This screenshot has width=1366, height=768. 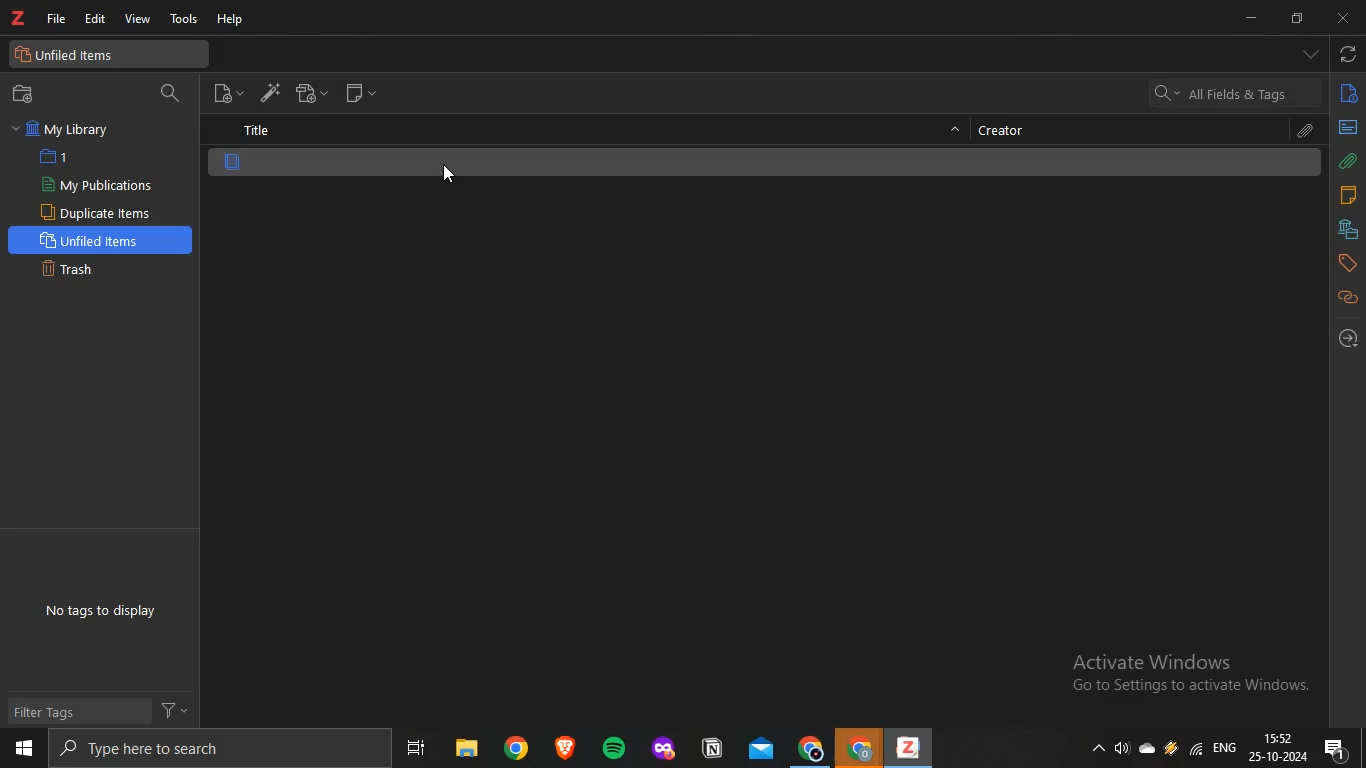 What do you see at coordinates (102, 612) in the screenshot?
I see `No tags to display` at bounding box center [102, 612].